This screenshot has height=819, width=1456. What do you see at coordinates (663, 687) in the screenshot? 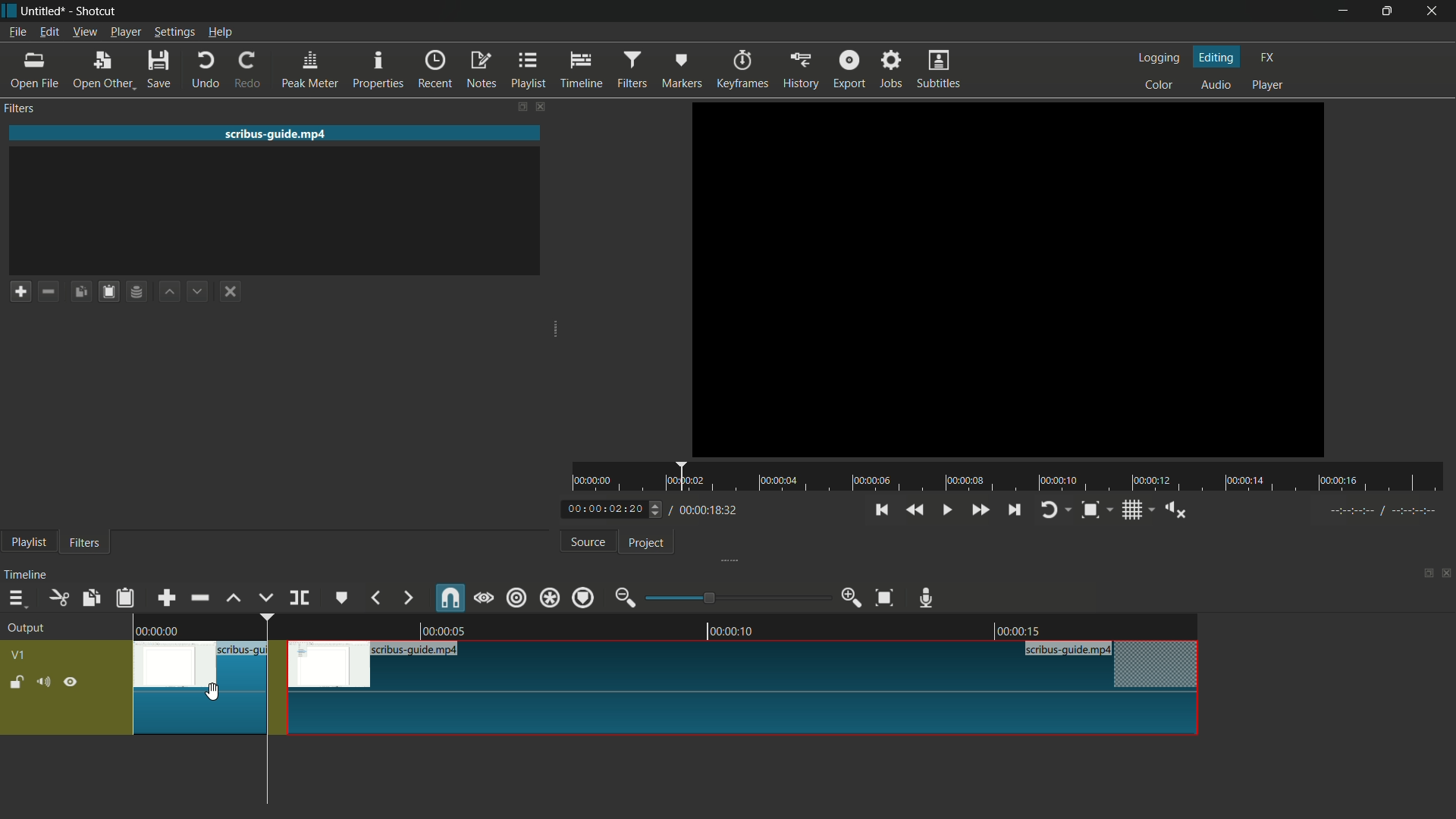
I see `video in timeline` at bounding box center [663, 687].